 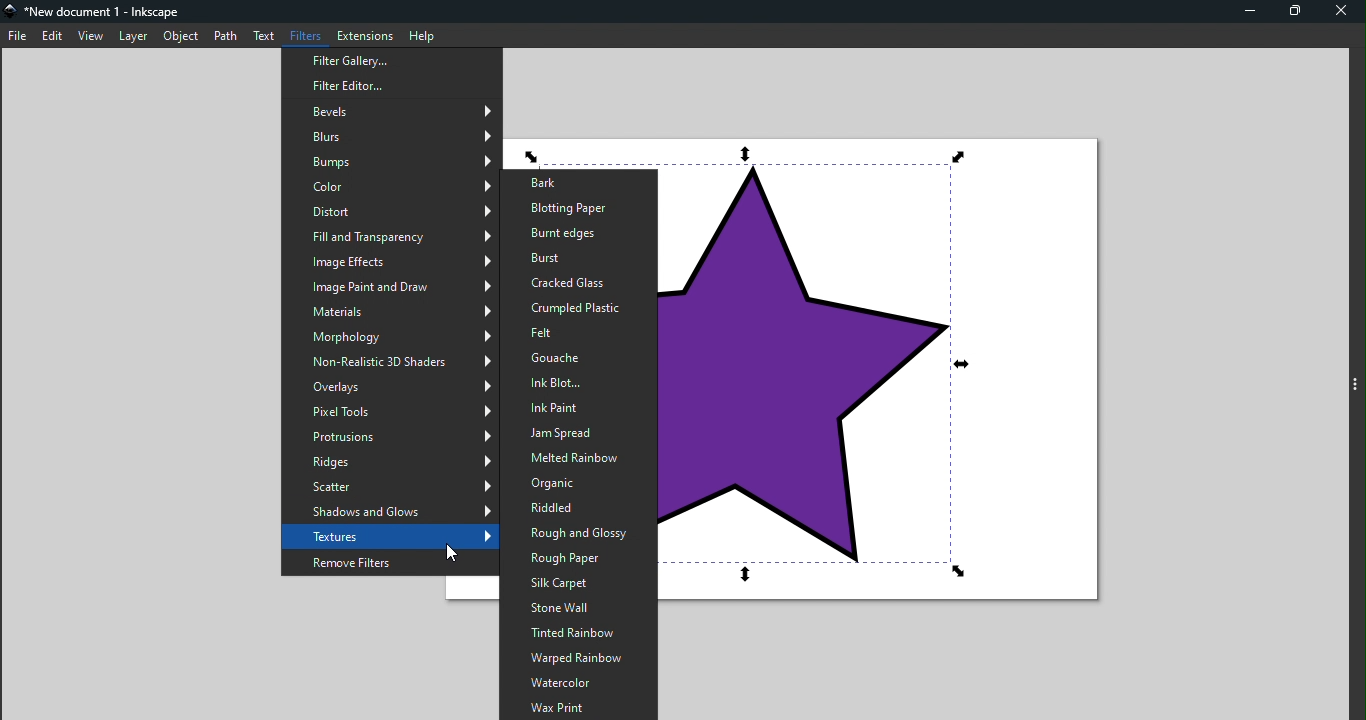 What do you see at coordinates (1340, 11) in the screenshot?
I see `Close` at bounding box center [1340, 11].